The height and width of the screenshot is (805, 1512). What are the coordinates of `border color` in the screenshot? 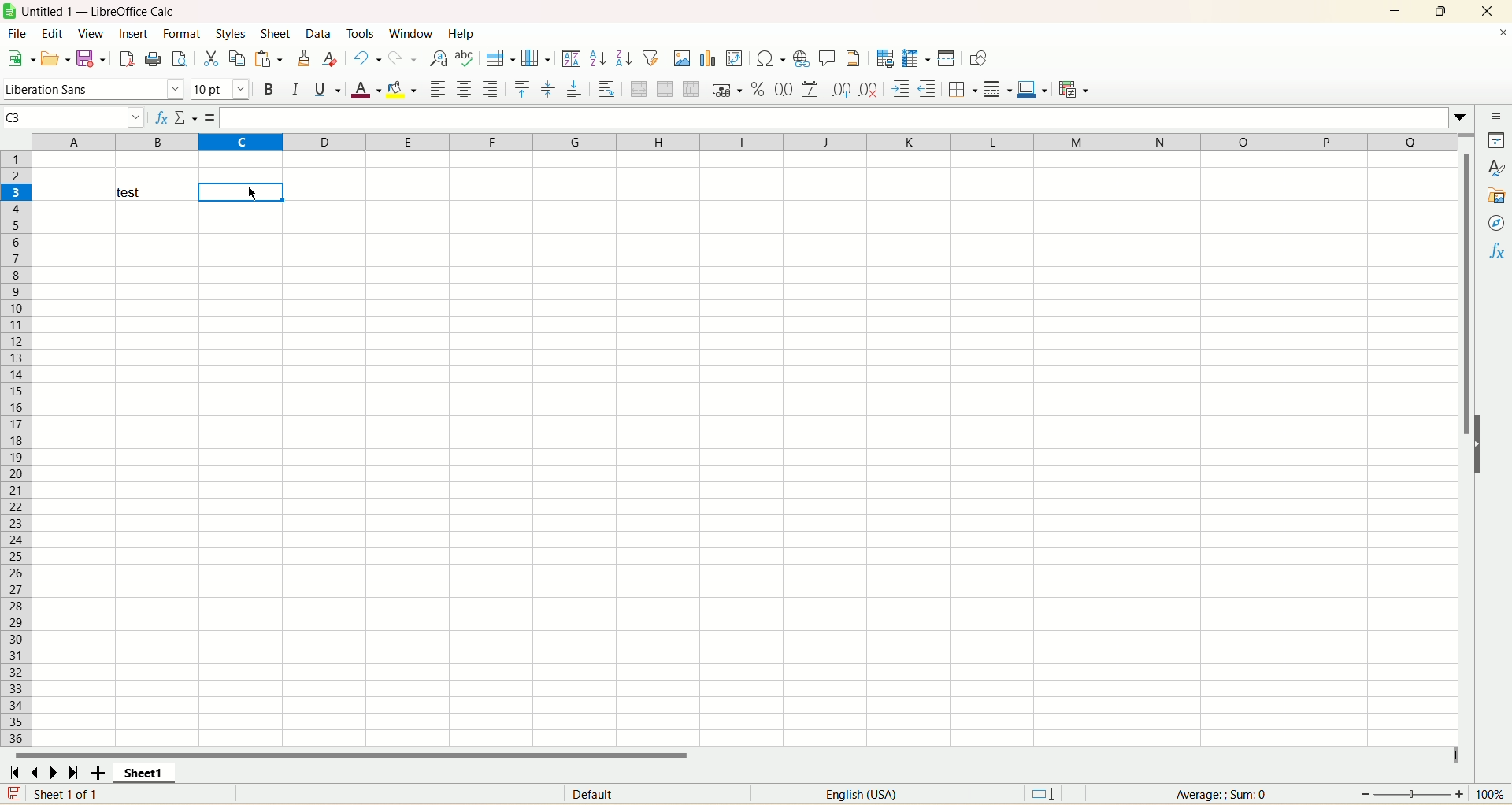 It's located at (1032, 89).